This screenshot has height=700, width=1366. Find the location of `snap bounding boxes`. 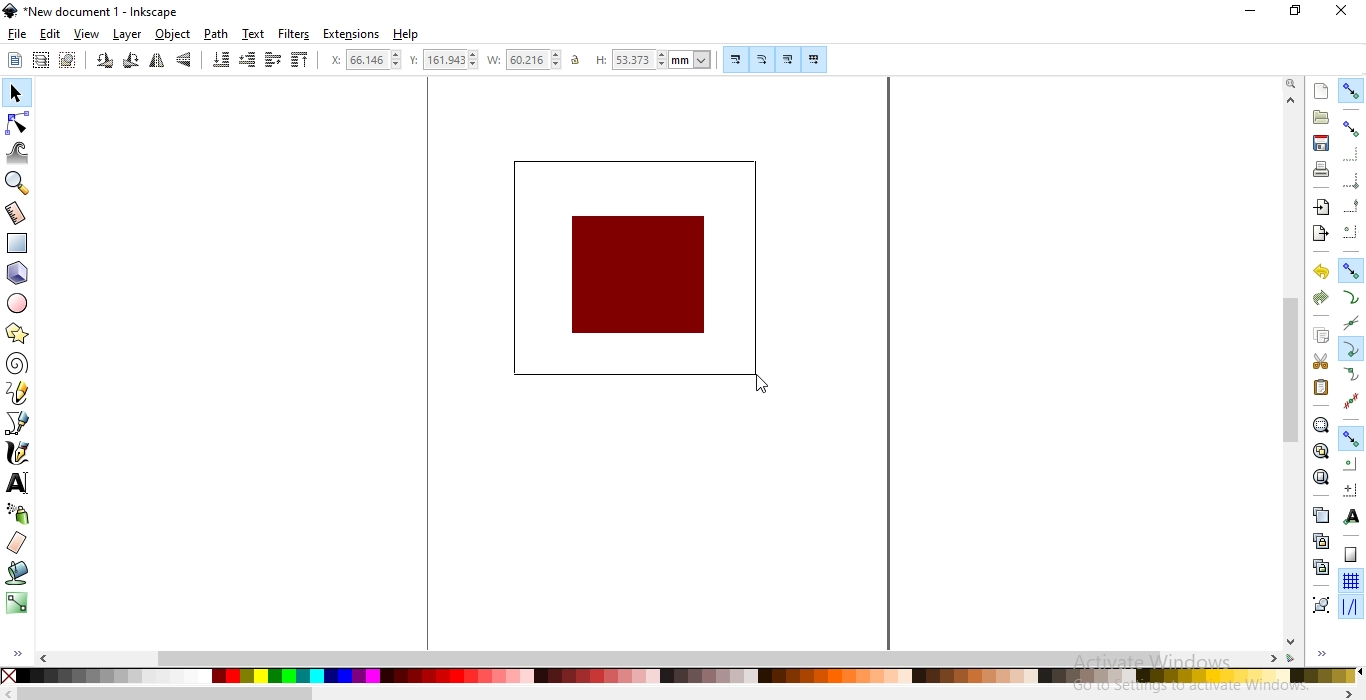

snap bounding boxes is located at coordinates (1352, 128).